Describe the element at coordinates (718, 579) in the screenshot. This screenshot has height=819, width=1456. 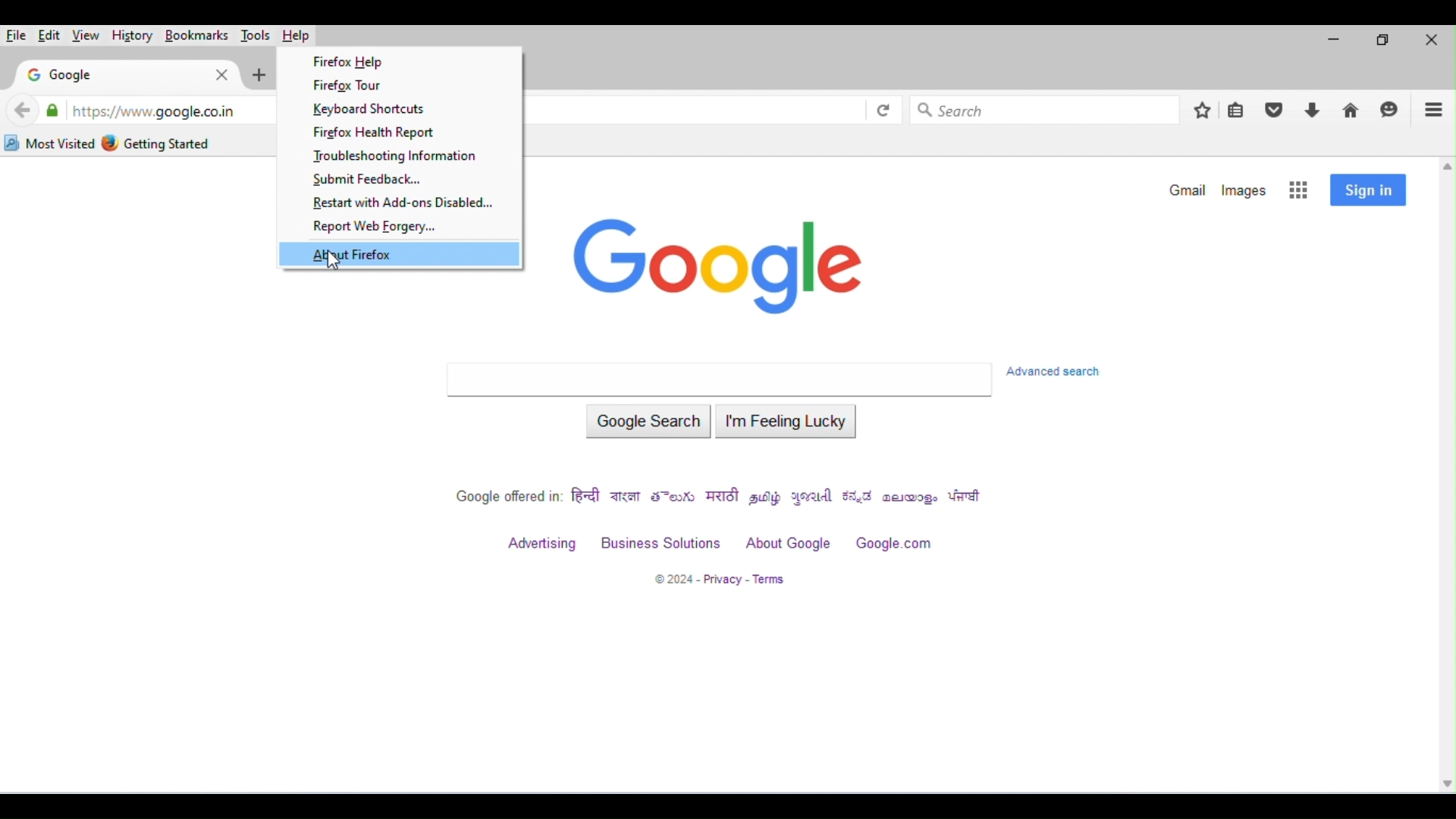
I see `2024-privacy terms` at that location.